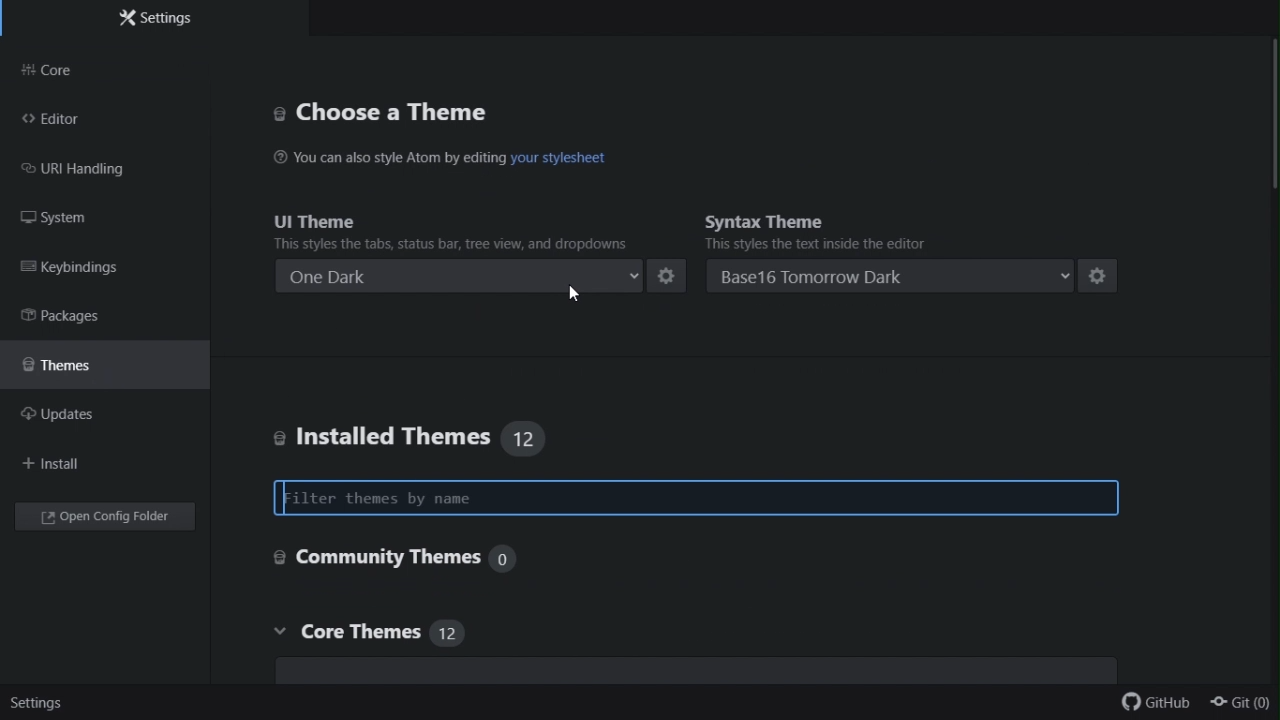 This screenshot has height=720, width=1280. What do you see at coordinates (1241, 705) in the screenshot?
I see `git(0)` at bounding box center [1241, 705].